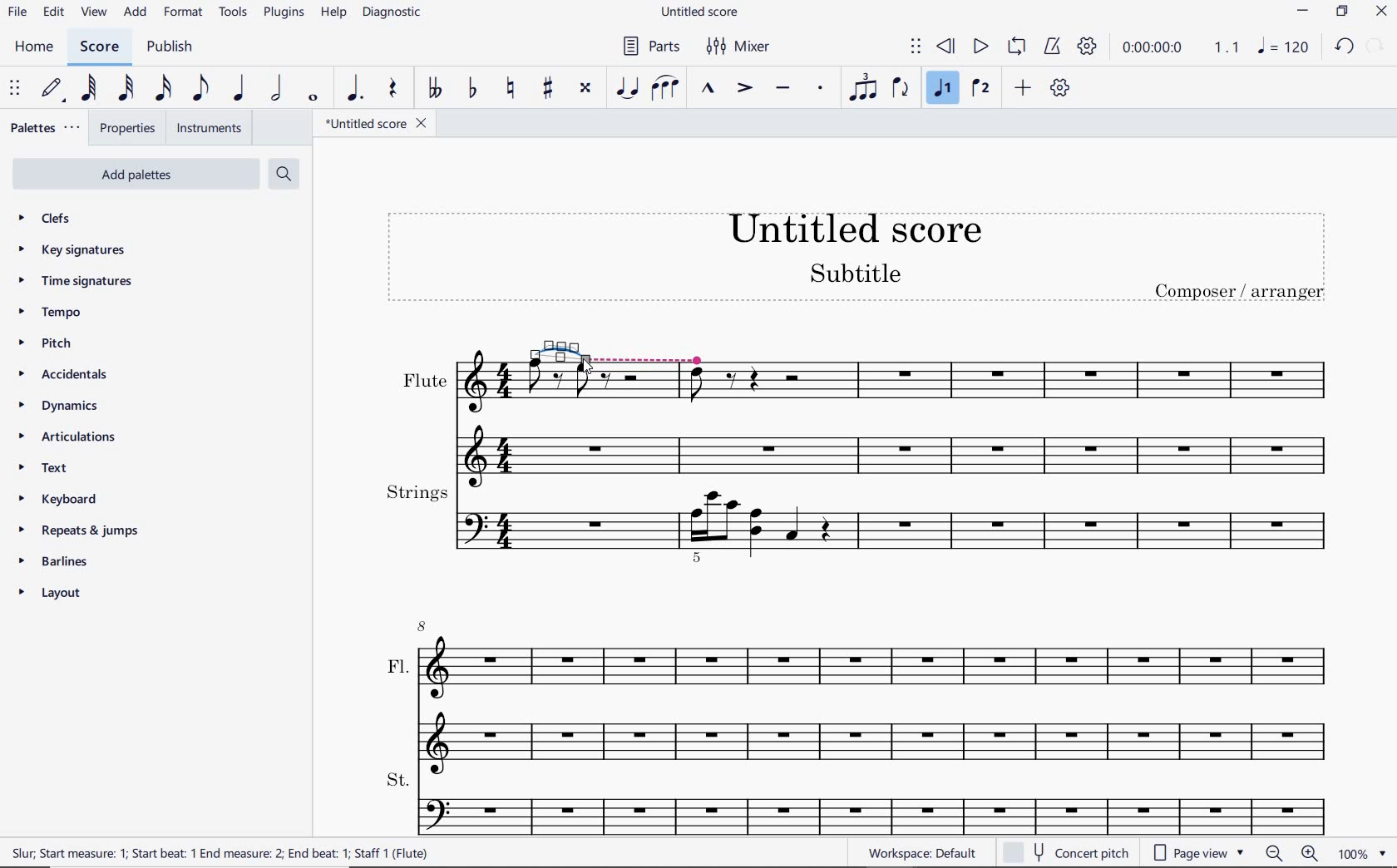  What do you see at coordinates (202, 87) in the screenshot?
I see `EIGHTH NOTE` at bounding box center [202, 87].